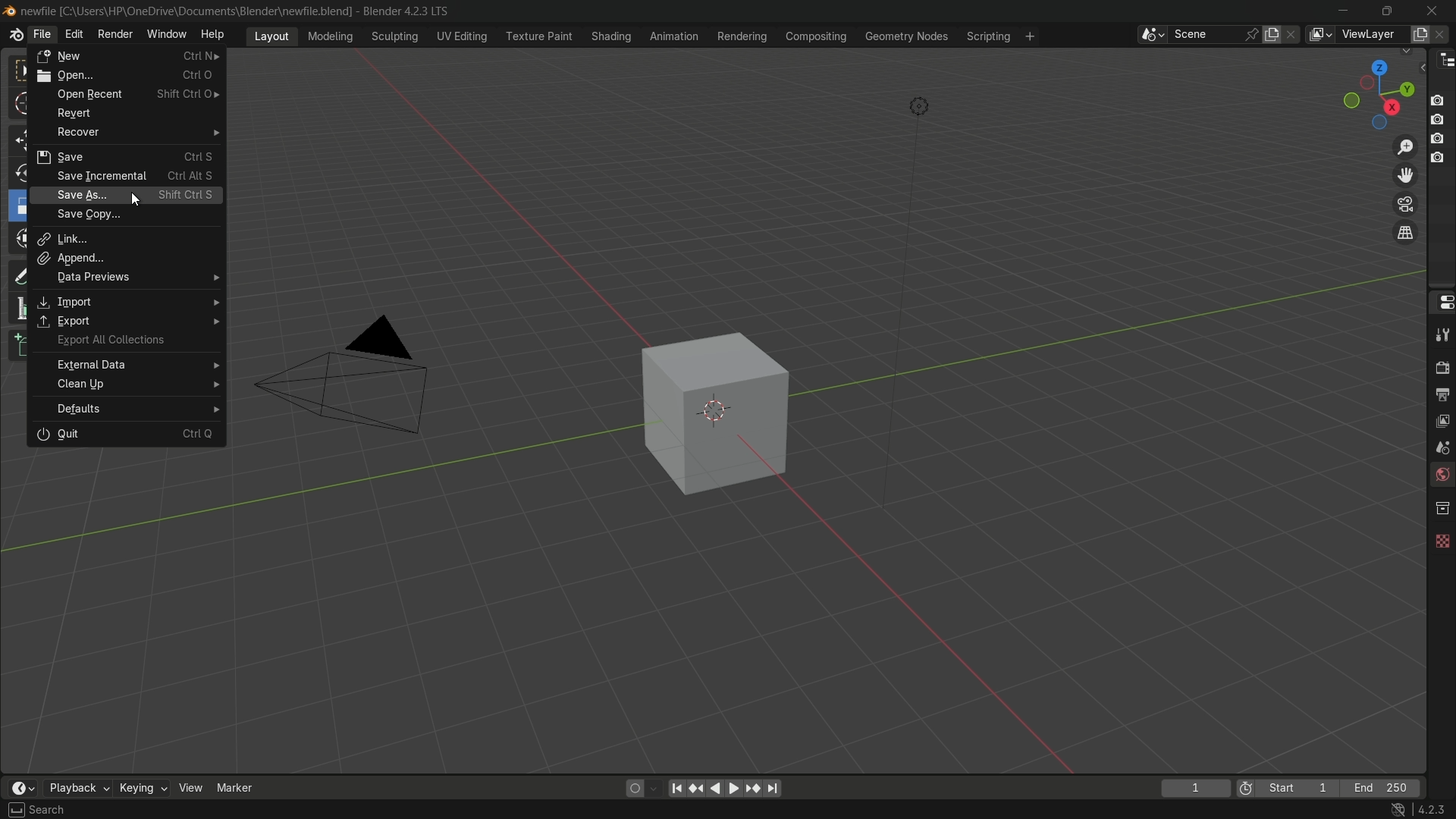  I want to click on jump to endpoint, so click(676, 787).